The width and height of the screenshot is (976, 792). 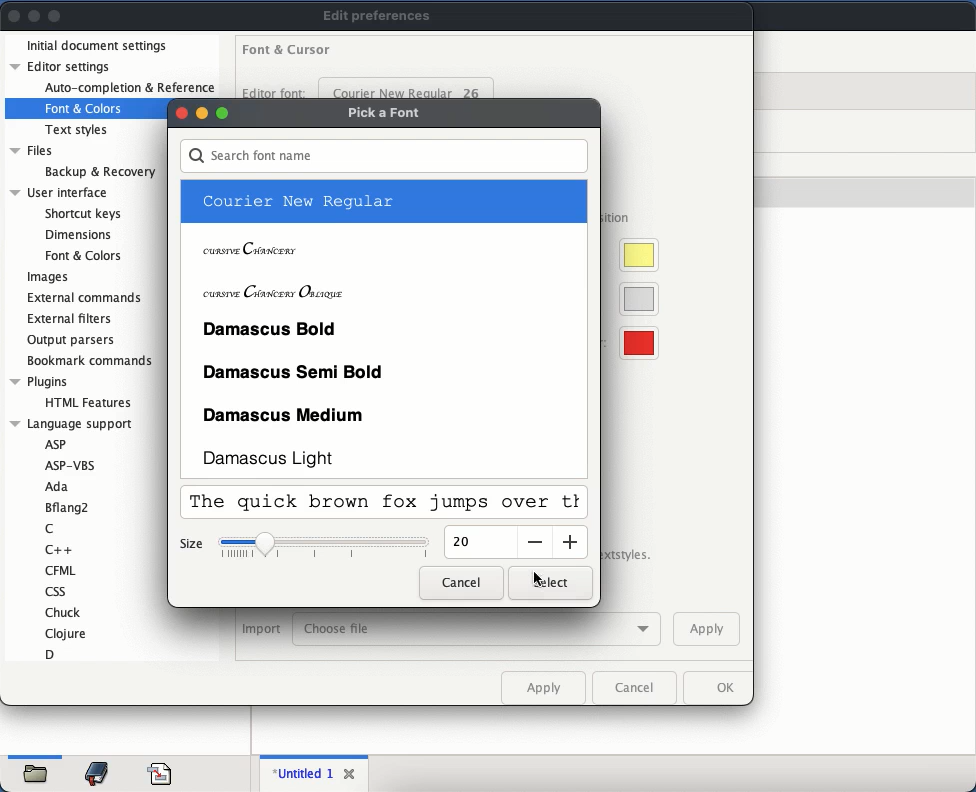 What do you see at coordinates (40, 770) in the screenshot?
I see `open` at bounding box center [40, 770].